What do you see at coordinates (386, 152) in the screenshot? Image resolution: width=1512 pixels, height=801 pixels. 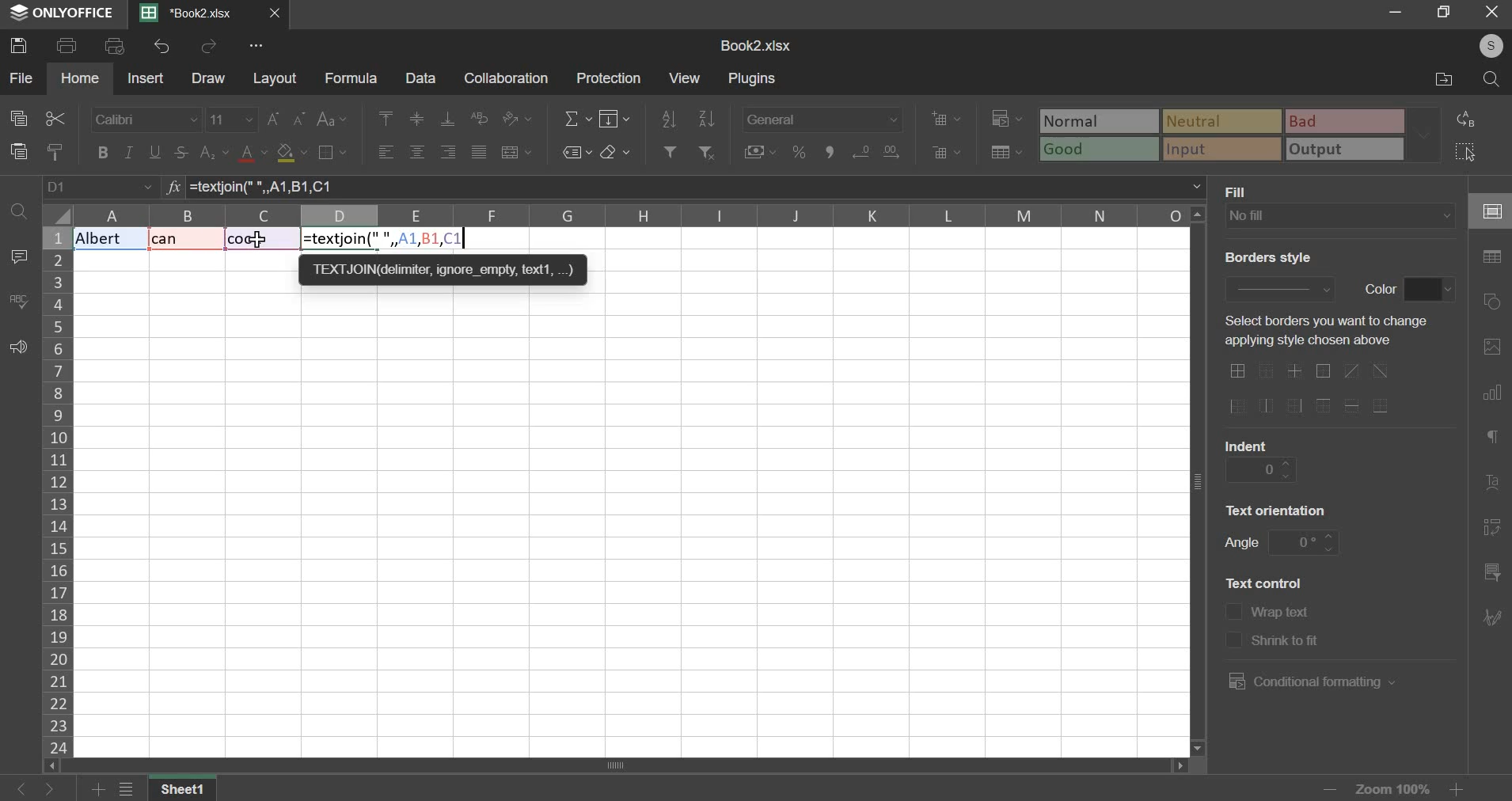 I see `align left` at bounding box center [386, 152].